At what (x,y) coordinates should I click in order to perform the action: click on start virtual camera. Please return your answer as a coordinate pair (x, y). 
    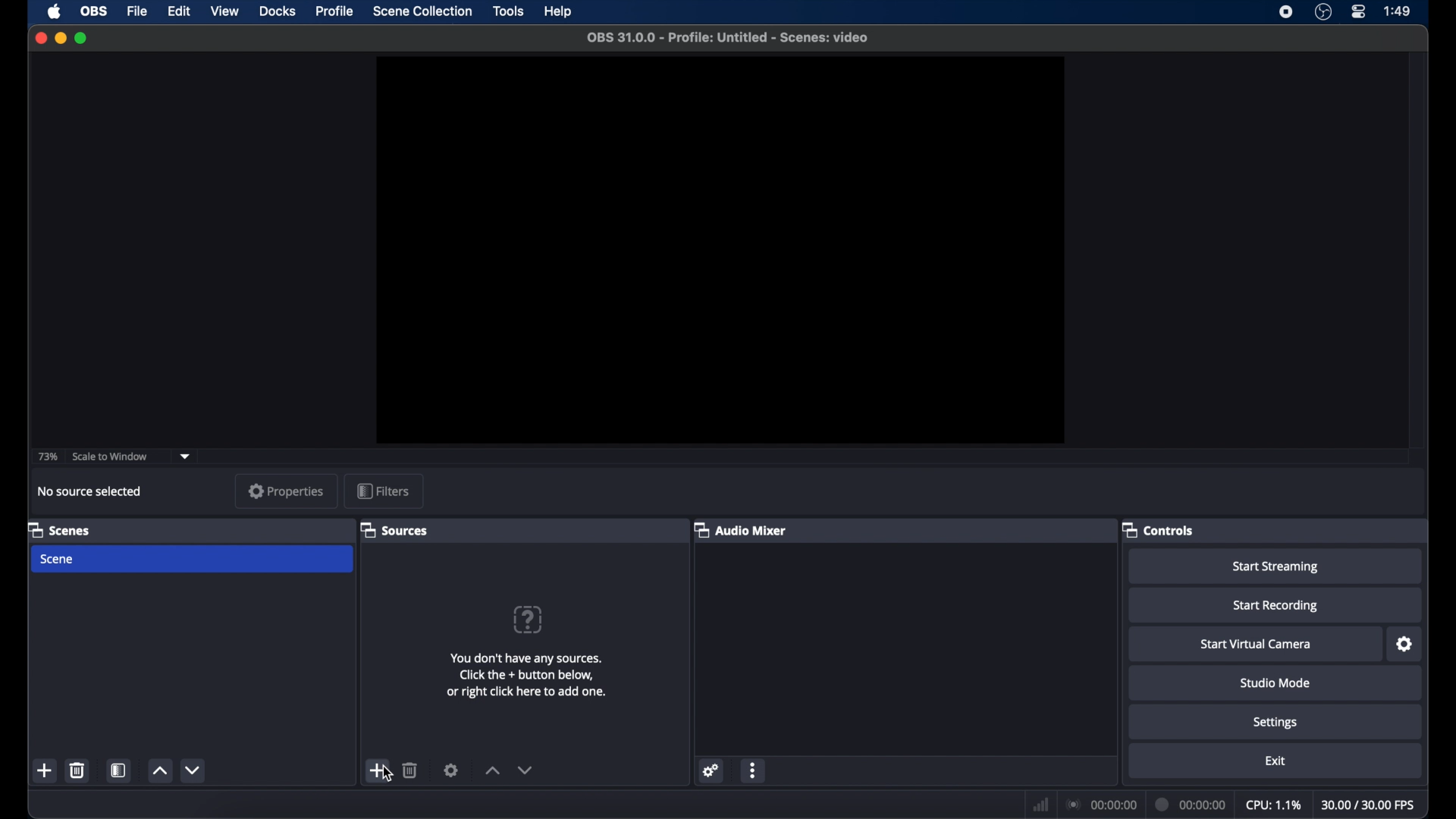
    Looking at the image, I should click on (1257, 644).